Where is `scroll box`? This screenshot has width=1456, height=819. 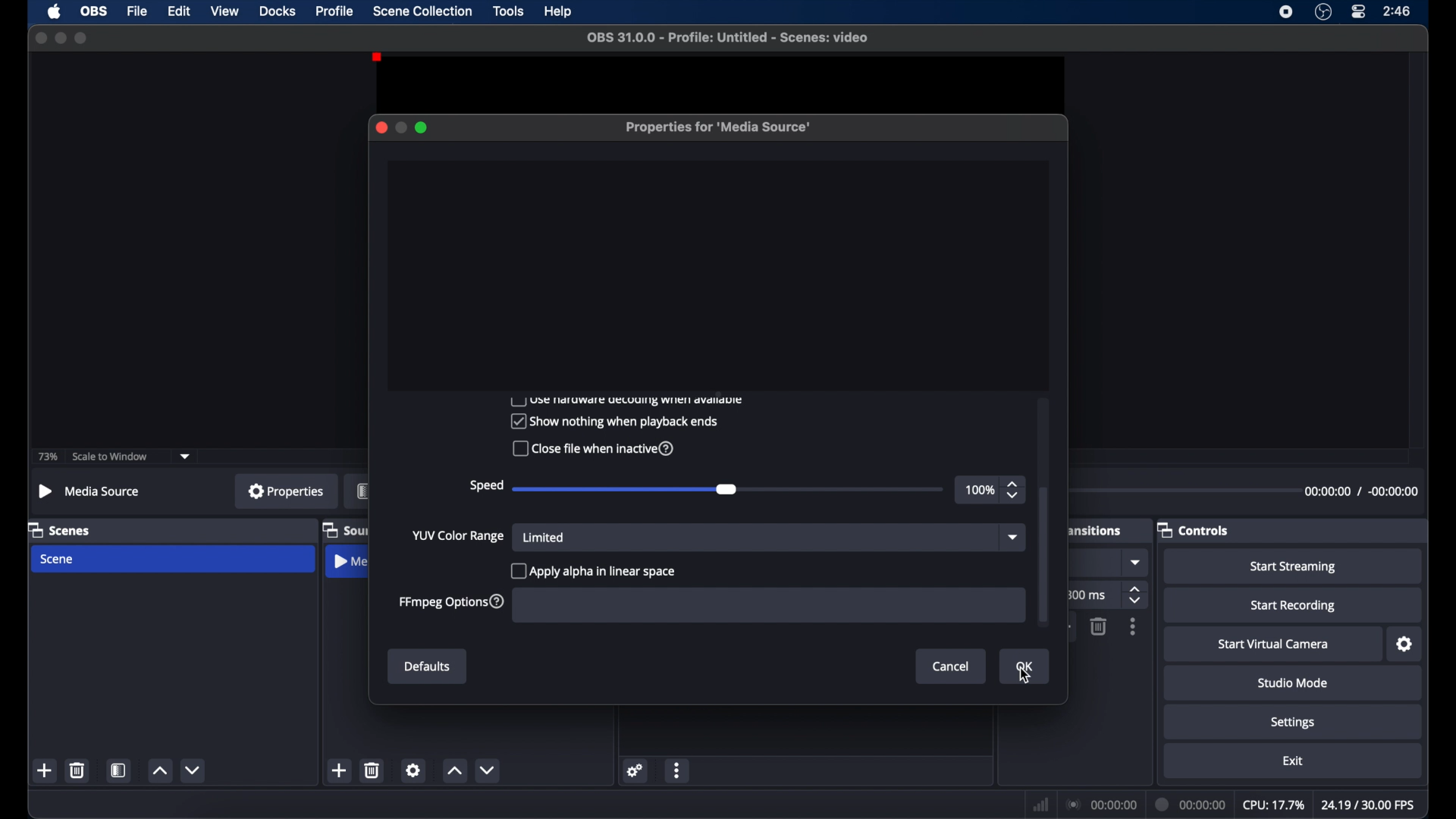
scroll box is located at coordinates (1043, 554).